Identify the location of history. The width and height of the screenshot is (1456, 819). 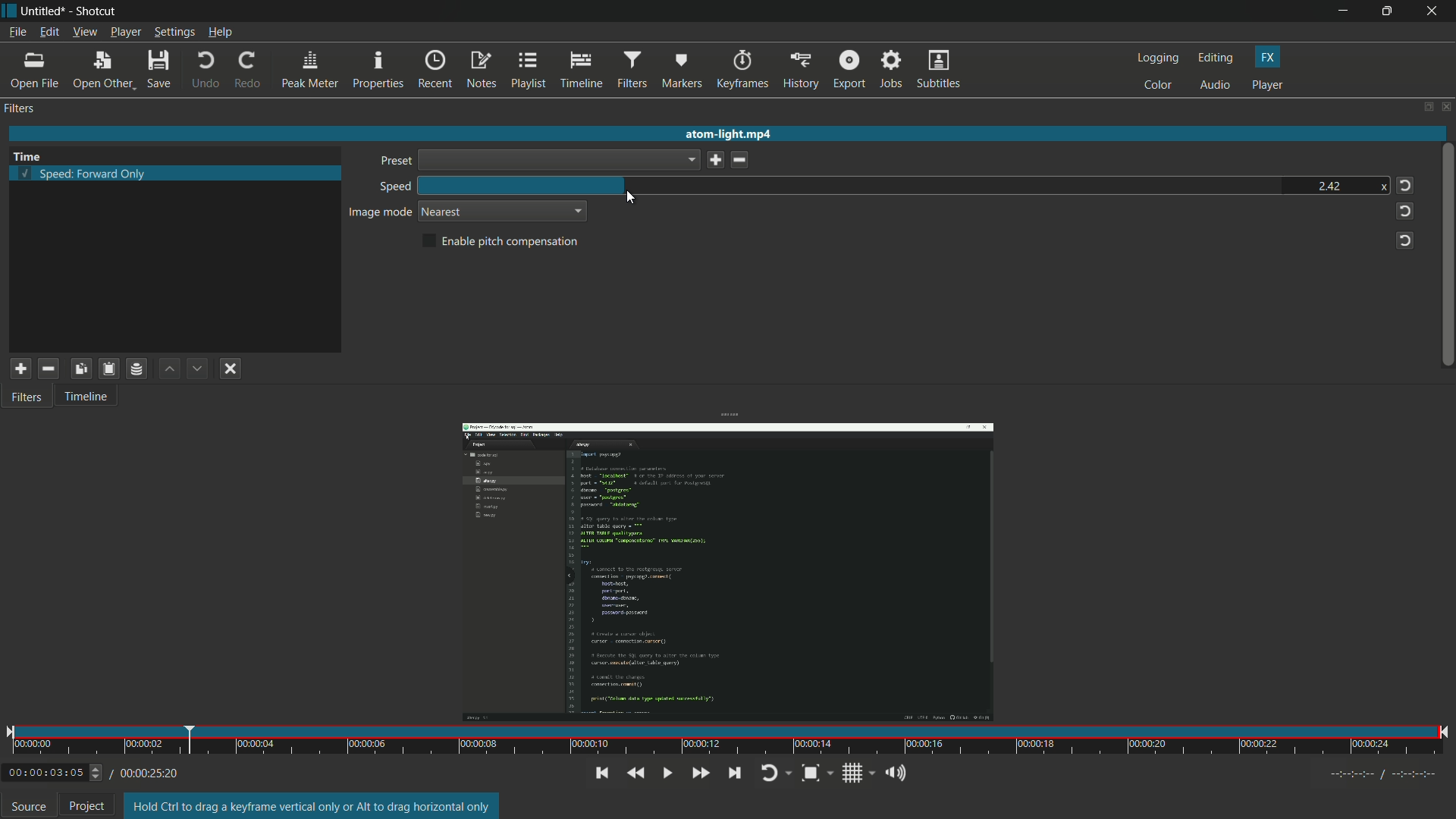
(800, 71).